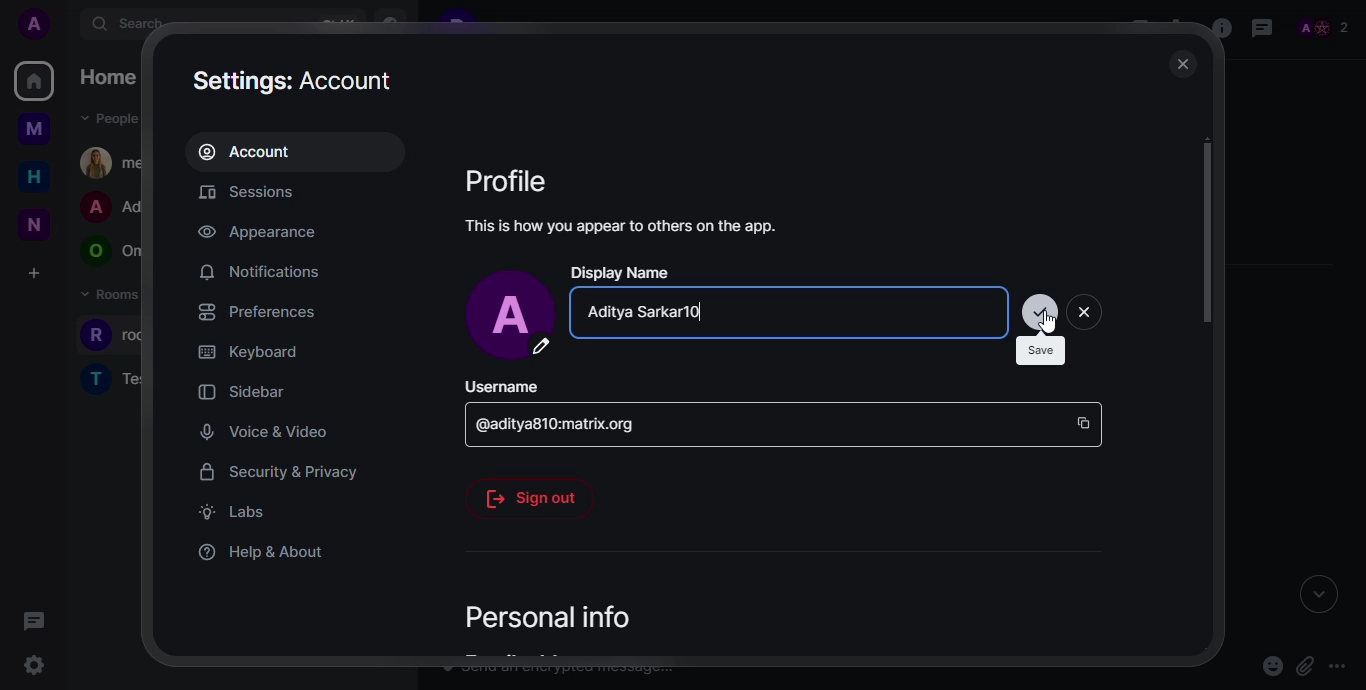 Image resolution: width=1366 pixels, height=690 pixels. Describe the element at coordinates (258, 194) in the screenshot. I see `sessions` at that location.